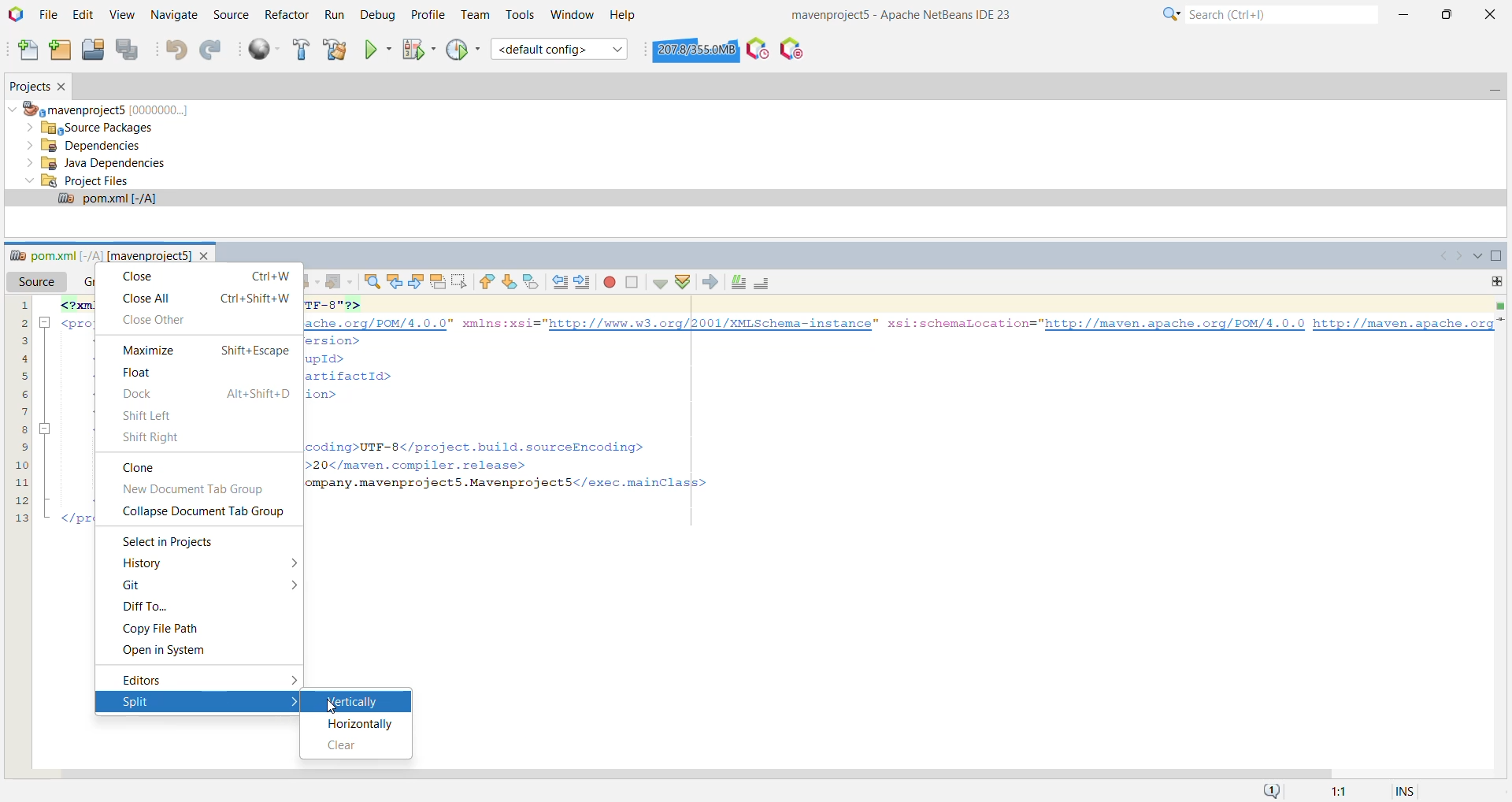  Describe the element at coordinates (213, 50) in the screenshot. I see `Redo` at that location.